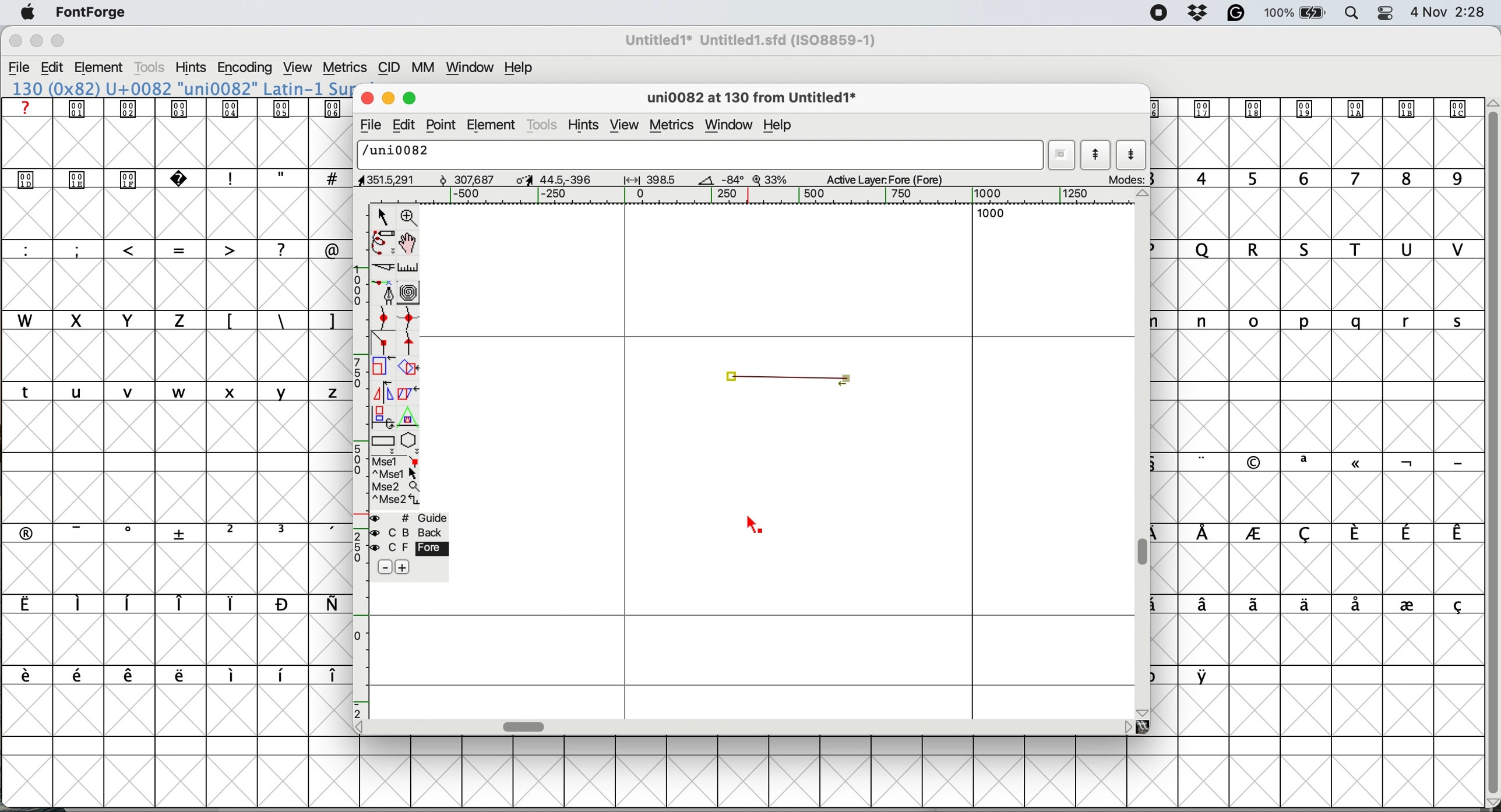 Image resolution: width=1501 pixels, height=812 pixels. I want to click on window, so click(732, 125).